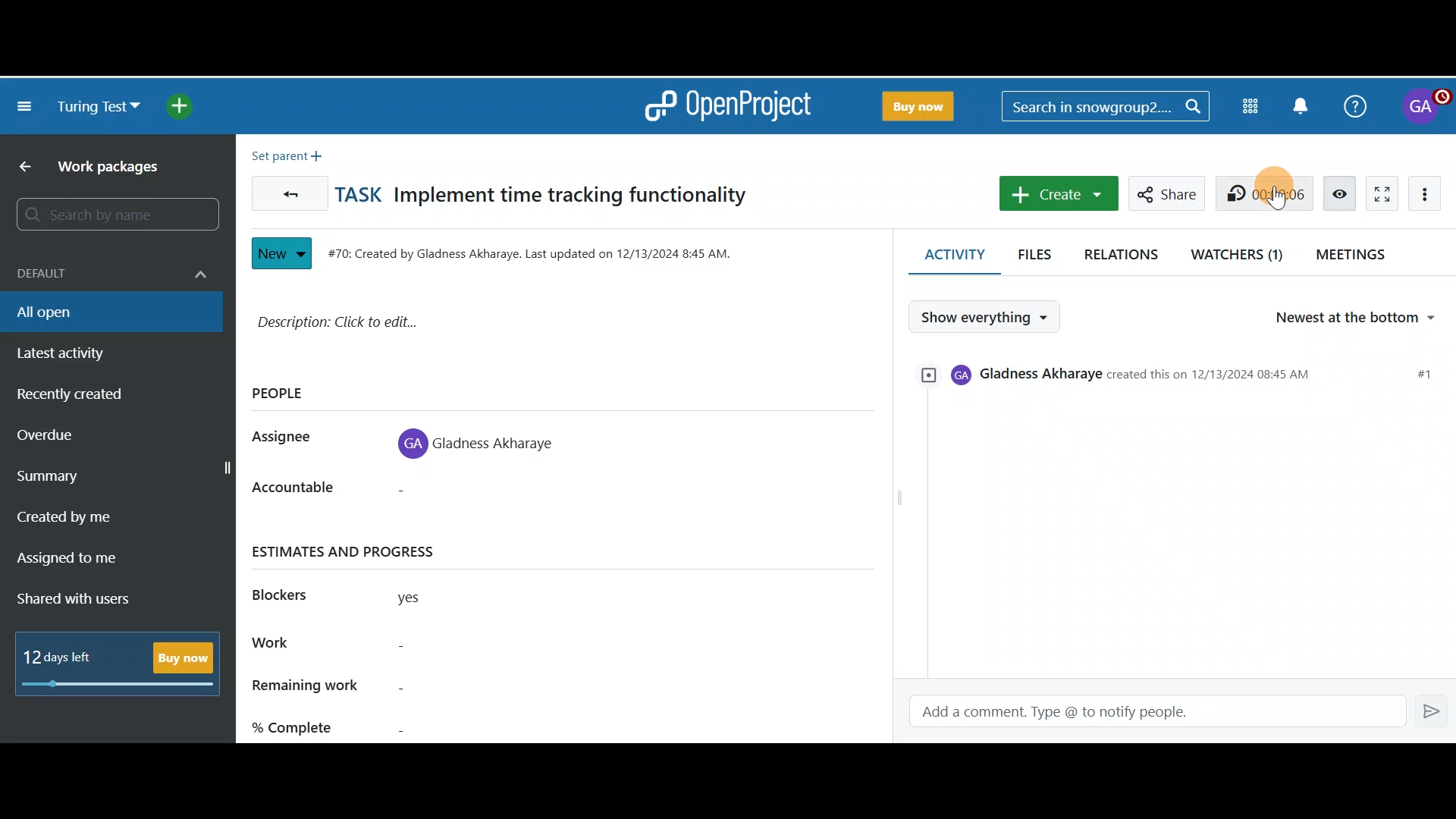  I want to click on Add a comment. Type @ to notify people., so click(1147, 712).